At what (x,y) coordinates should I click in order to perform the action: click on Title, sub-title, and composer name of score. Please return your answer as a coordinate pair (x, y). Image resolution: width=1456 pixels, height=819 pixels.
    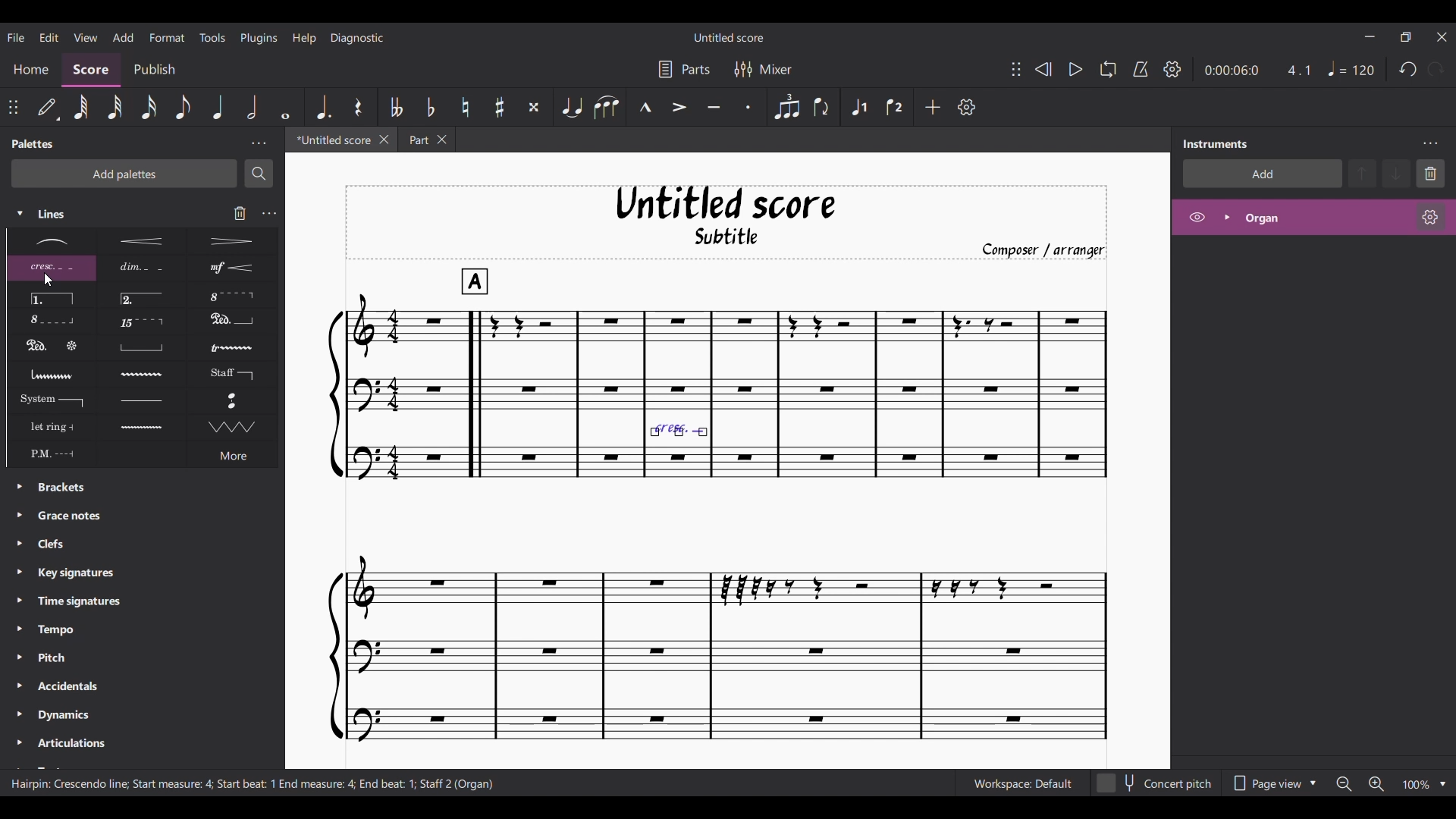
    Looking at the image, I should click on (727, 222).